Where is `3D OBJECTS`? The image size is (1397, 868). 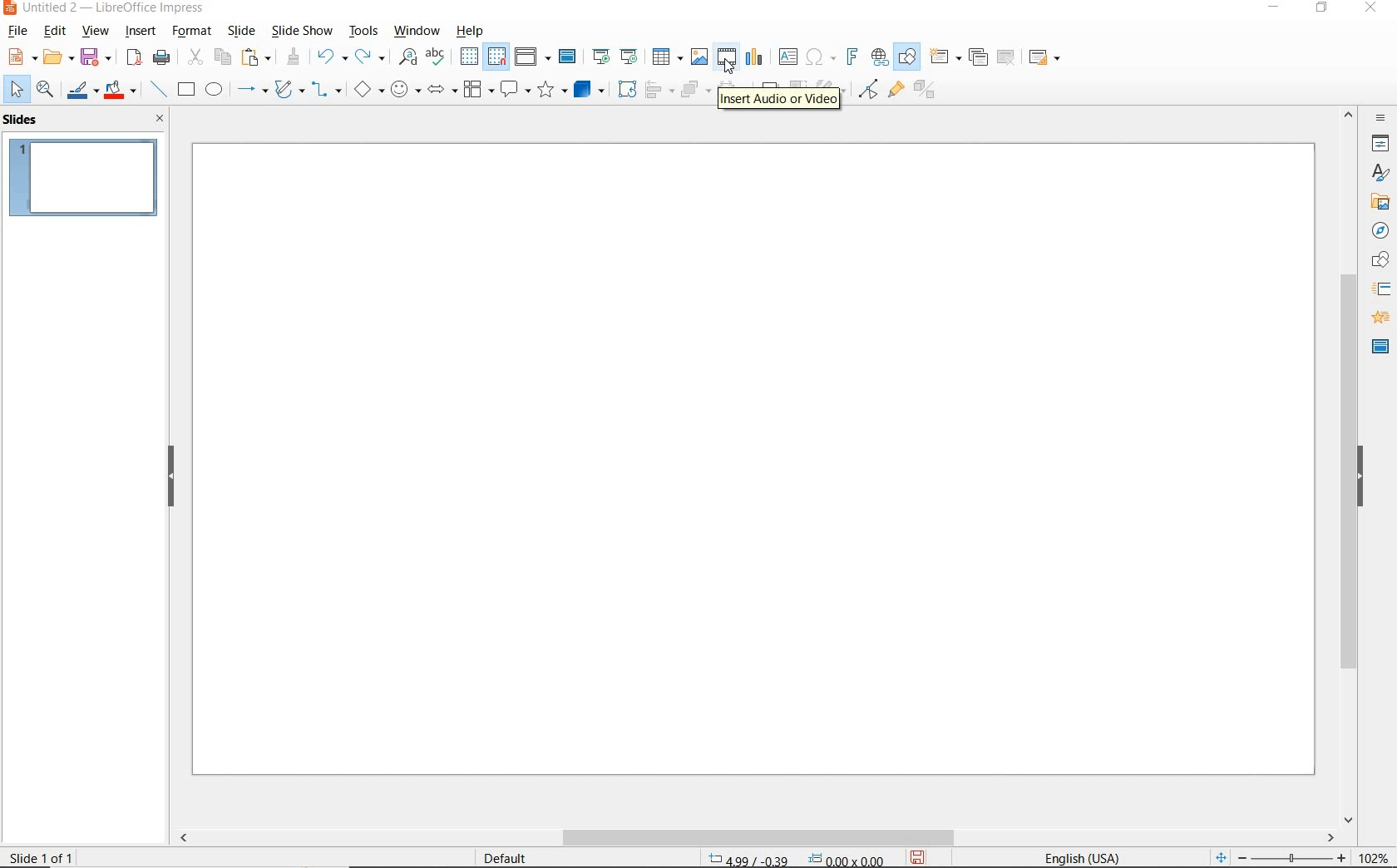
3D OBJECTS is located at coordinates (588, 90).